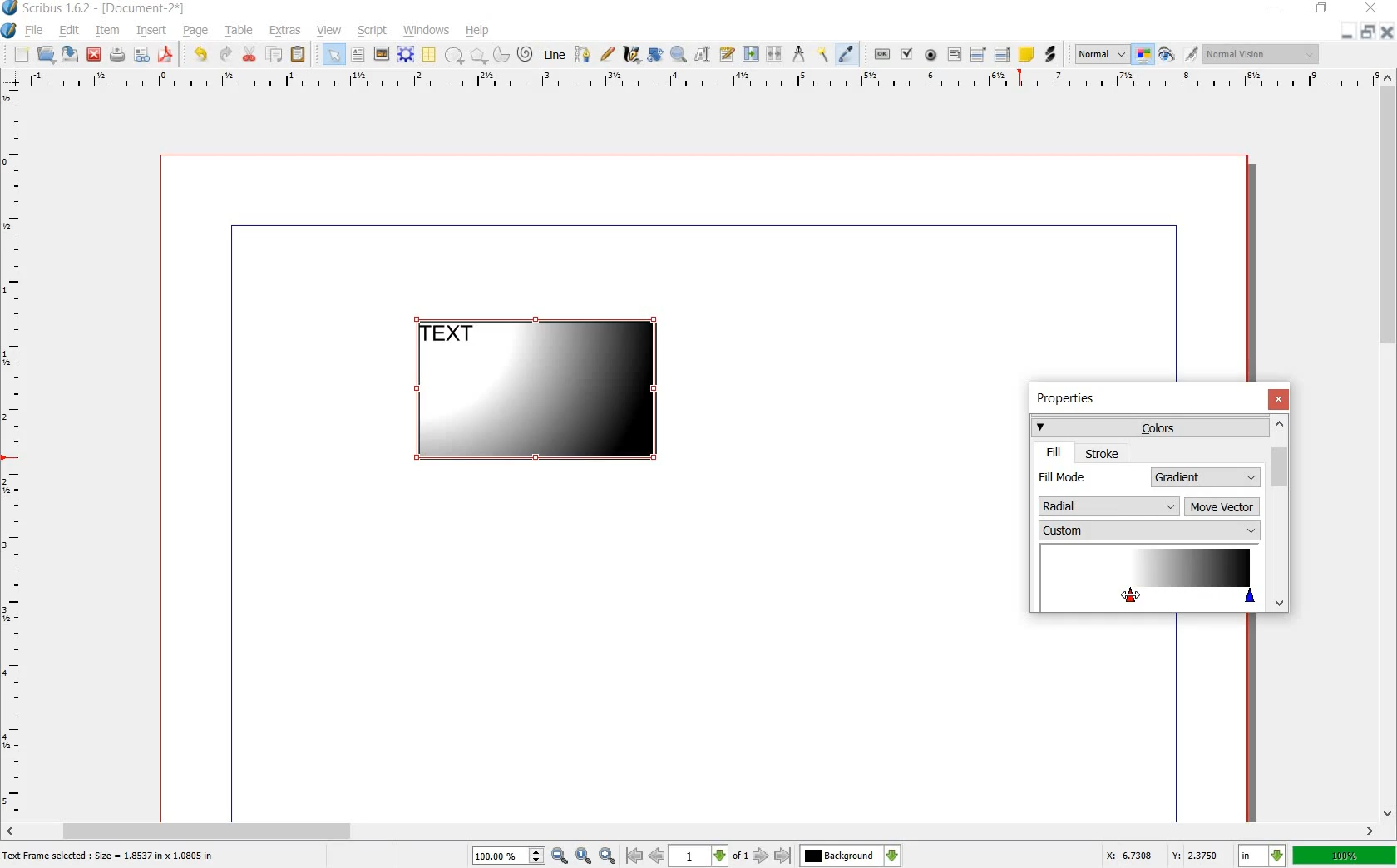 The height and width of the screenshot is (868, 1397). Describe the element at coordinates (37, 31) in the screenshot. I see `file` at that location.